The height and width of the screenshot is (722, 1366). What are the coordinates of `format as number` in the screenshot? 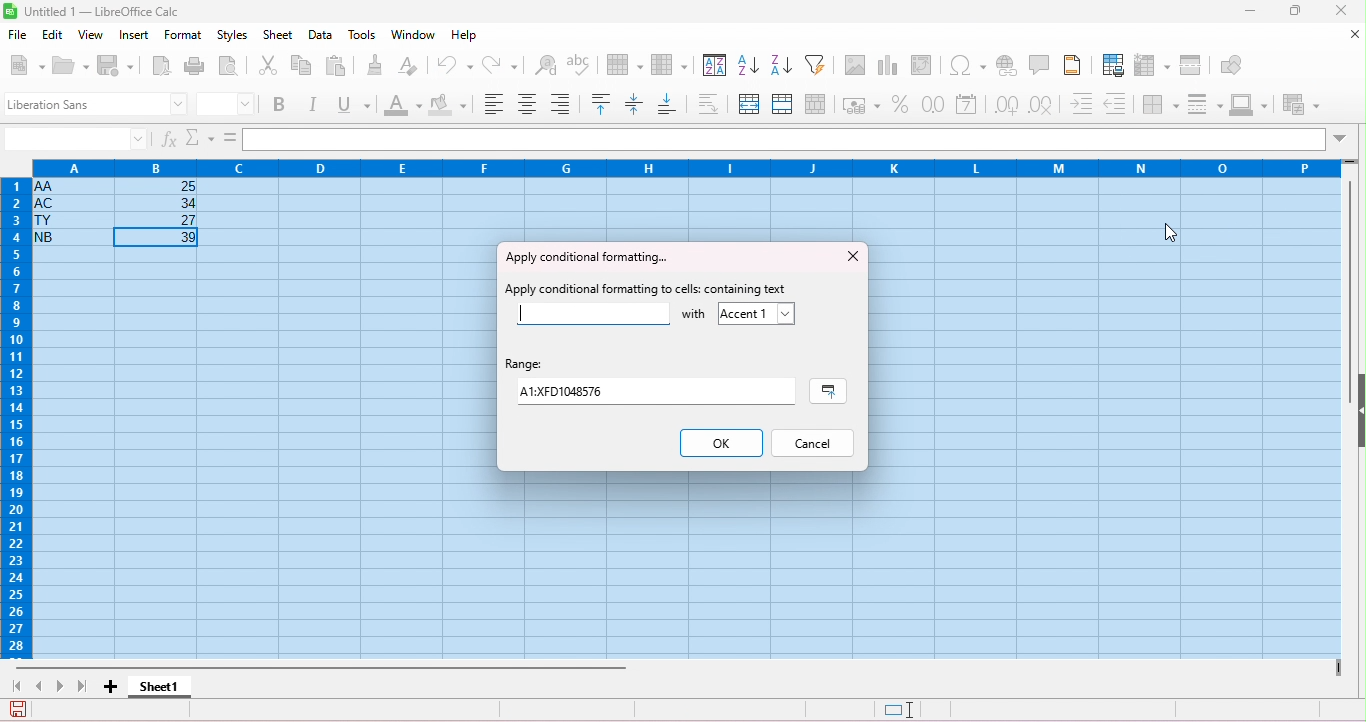 It's located at (934, 104).